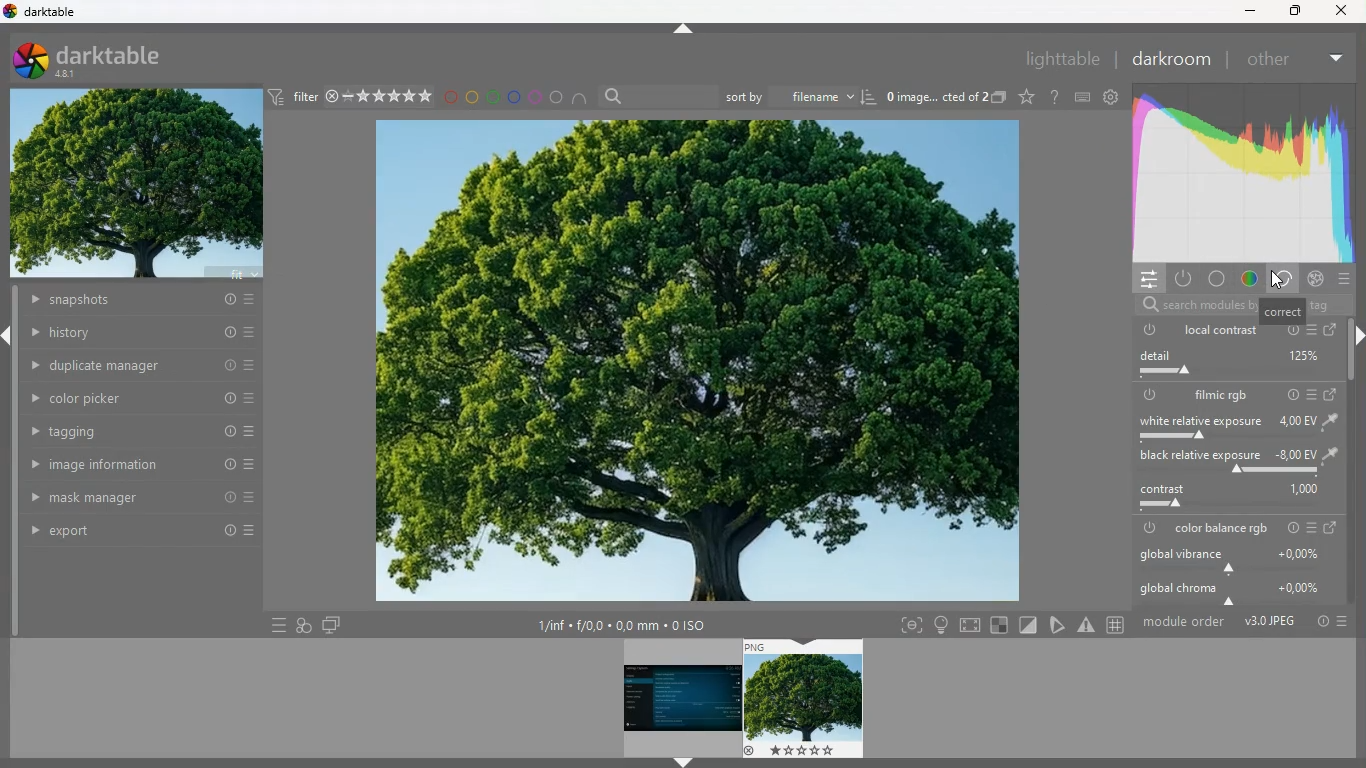  I want to click on green, so click(493, 97).